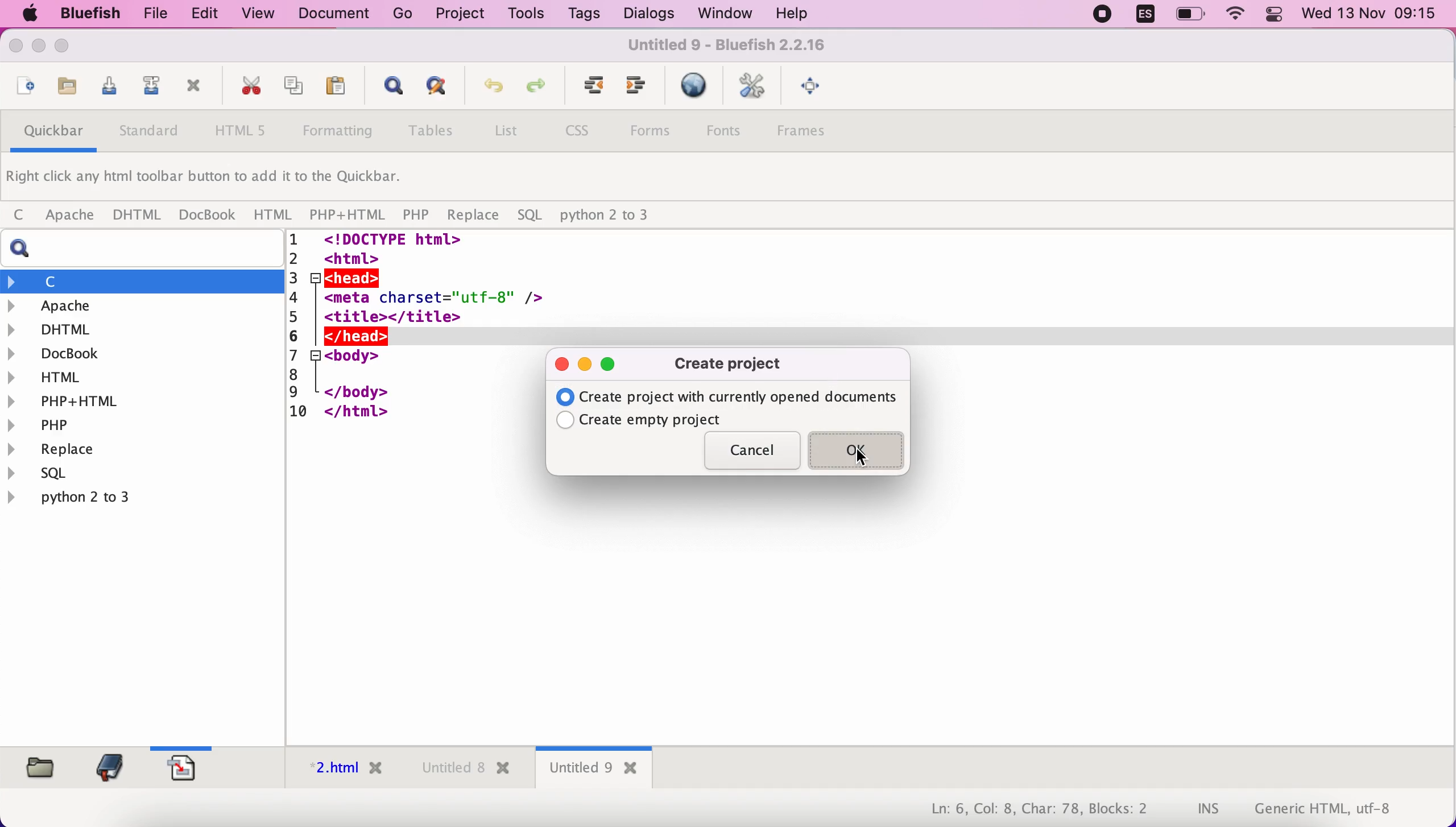  I want to click on title, so click(725, 48).